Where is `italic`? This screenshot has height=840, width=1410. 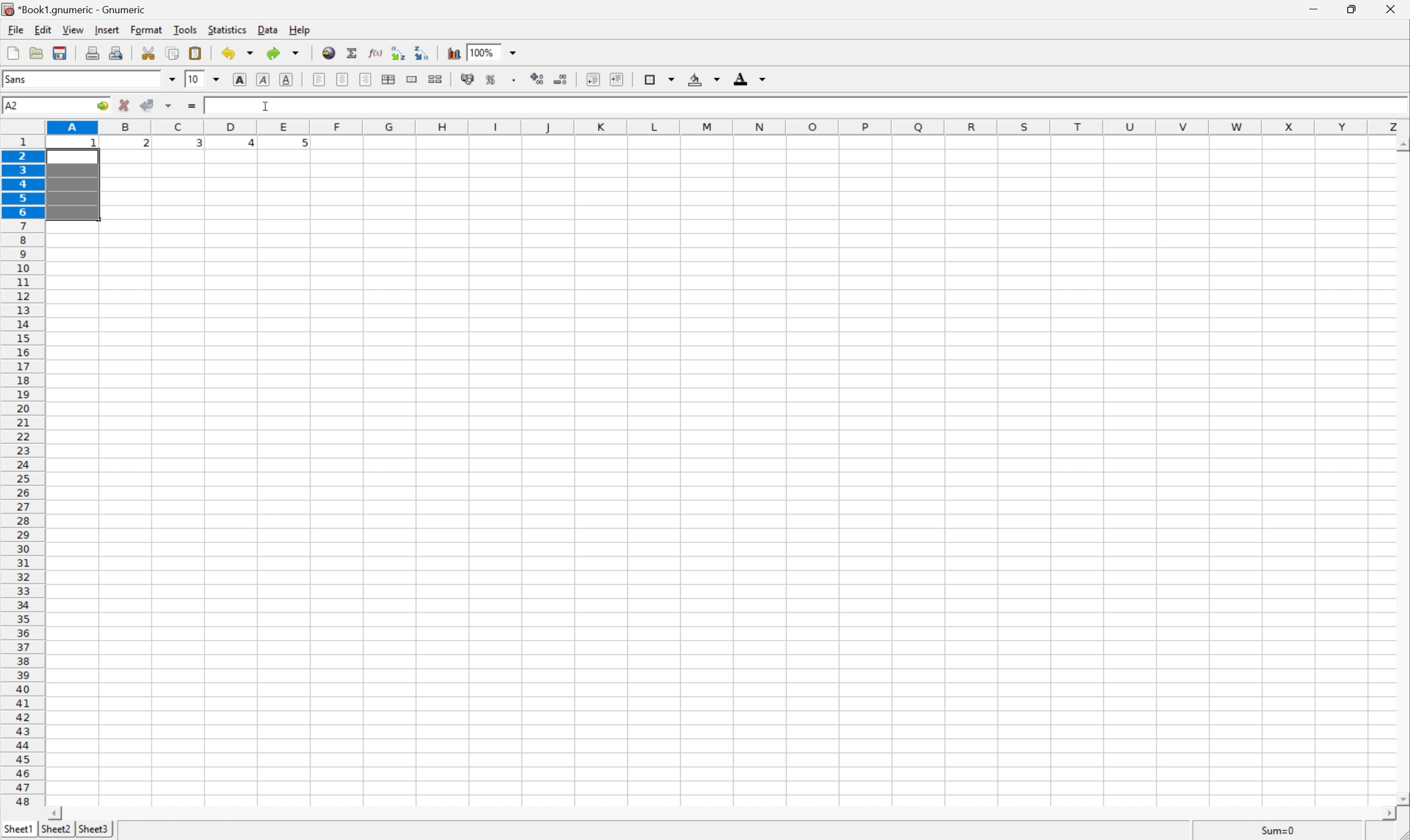
italic is located at coordinates (264, 79).